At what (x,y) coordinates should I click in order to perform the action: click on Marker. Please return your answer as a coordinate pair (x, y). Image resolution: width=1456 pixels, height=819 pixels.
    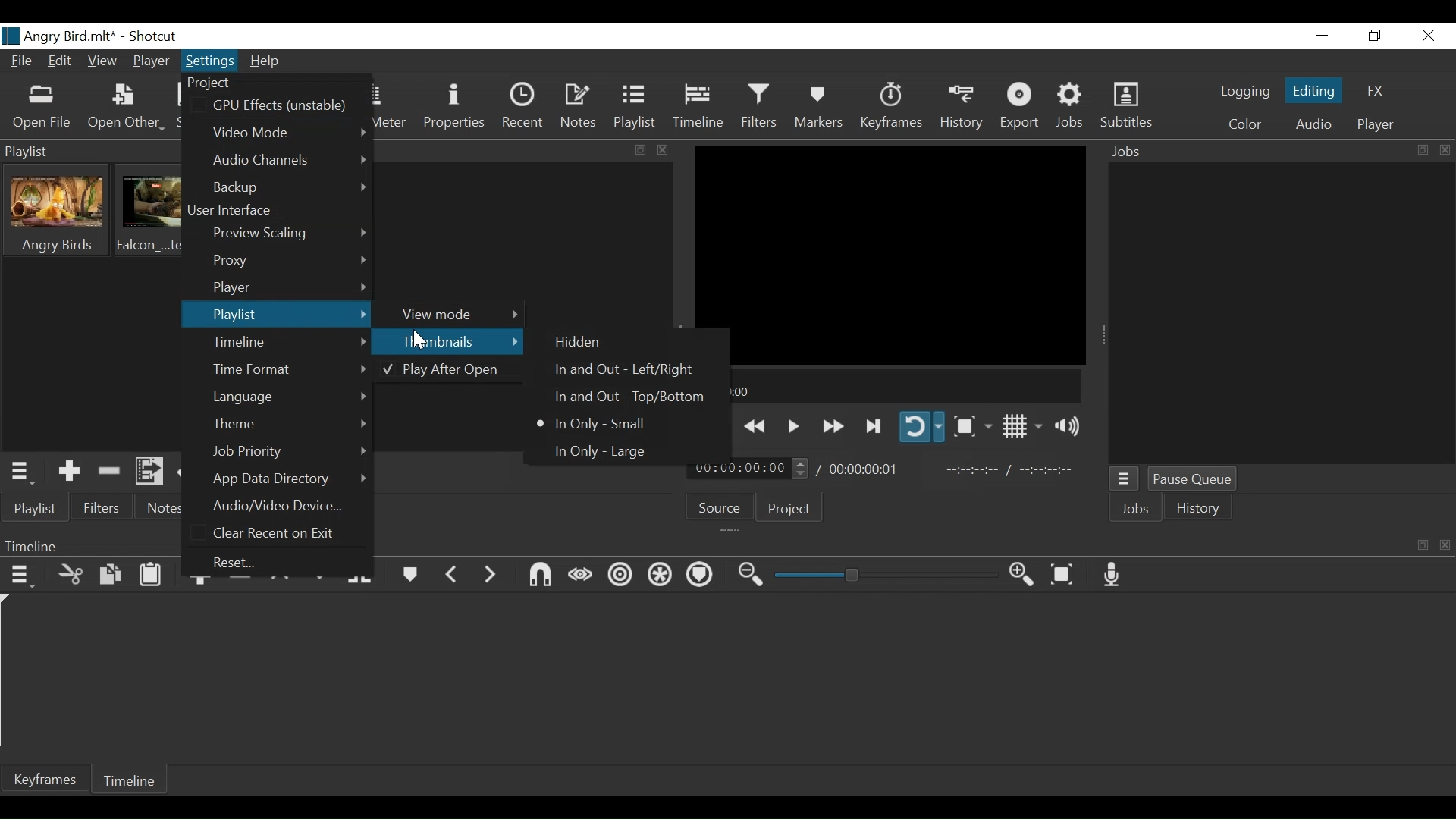
    Looking at the image, I should click on (409, 577).